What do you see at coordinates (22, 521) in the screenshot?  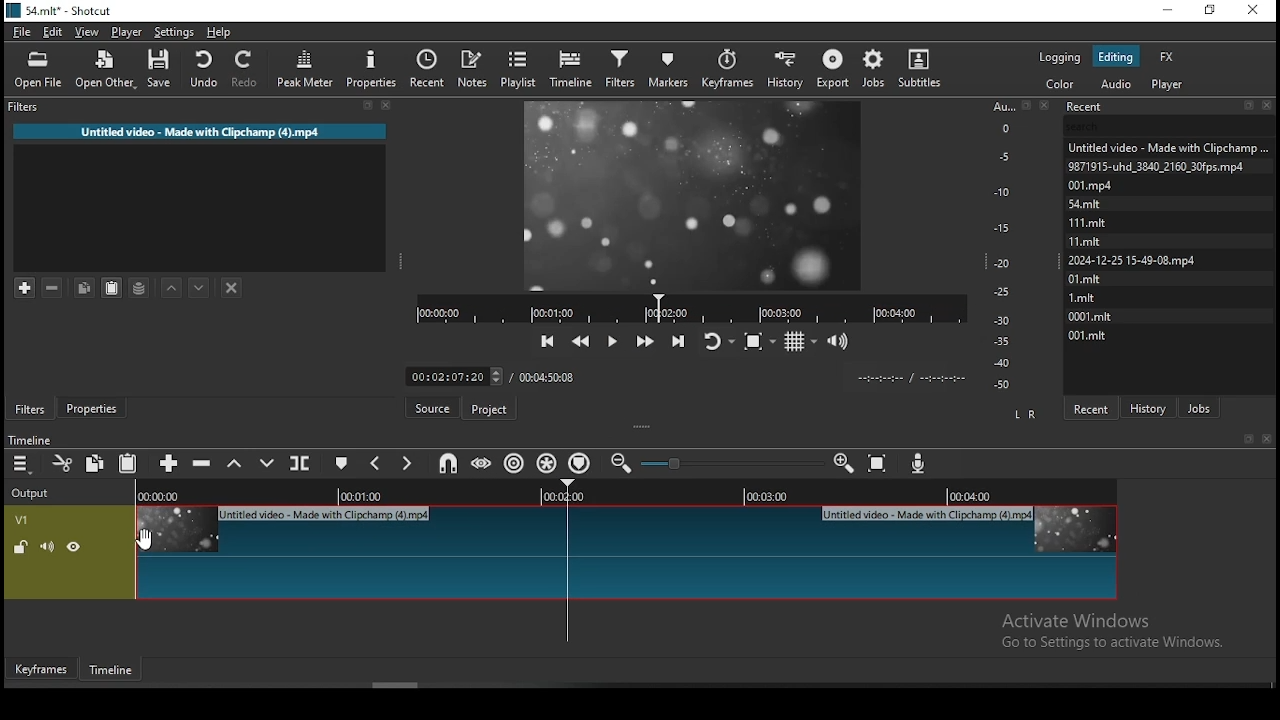 I see `V1` at bounding box center [22, 521].